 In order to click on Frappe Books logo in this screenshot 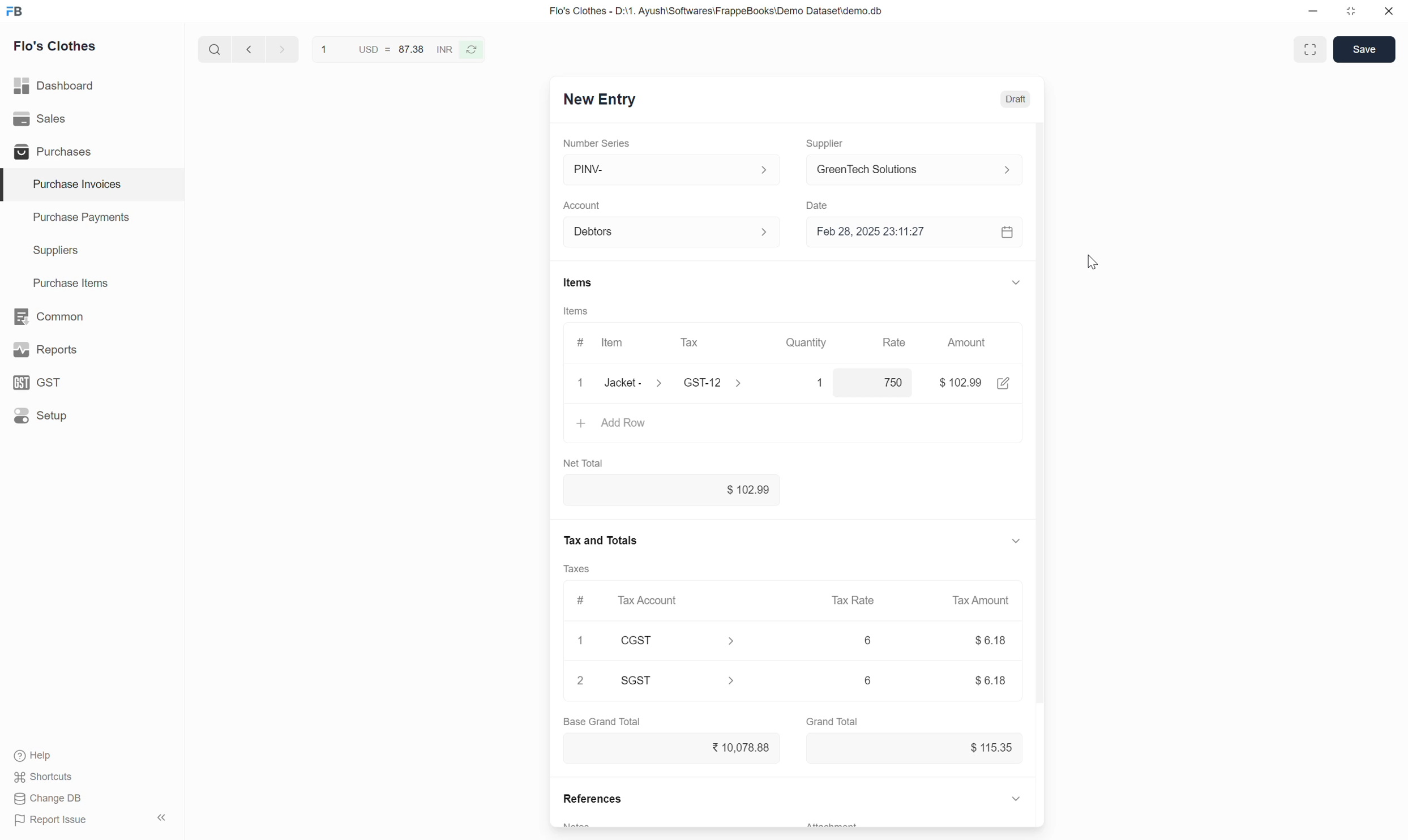, I will do `click(14, 11)`.